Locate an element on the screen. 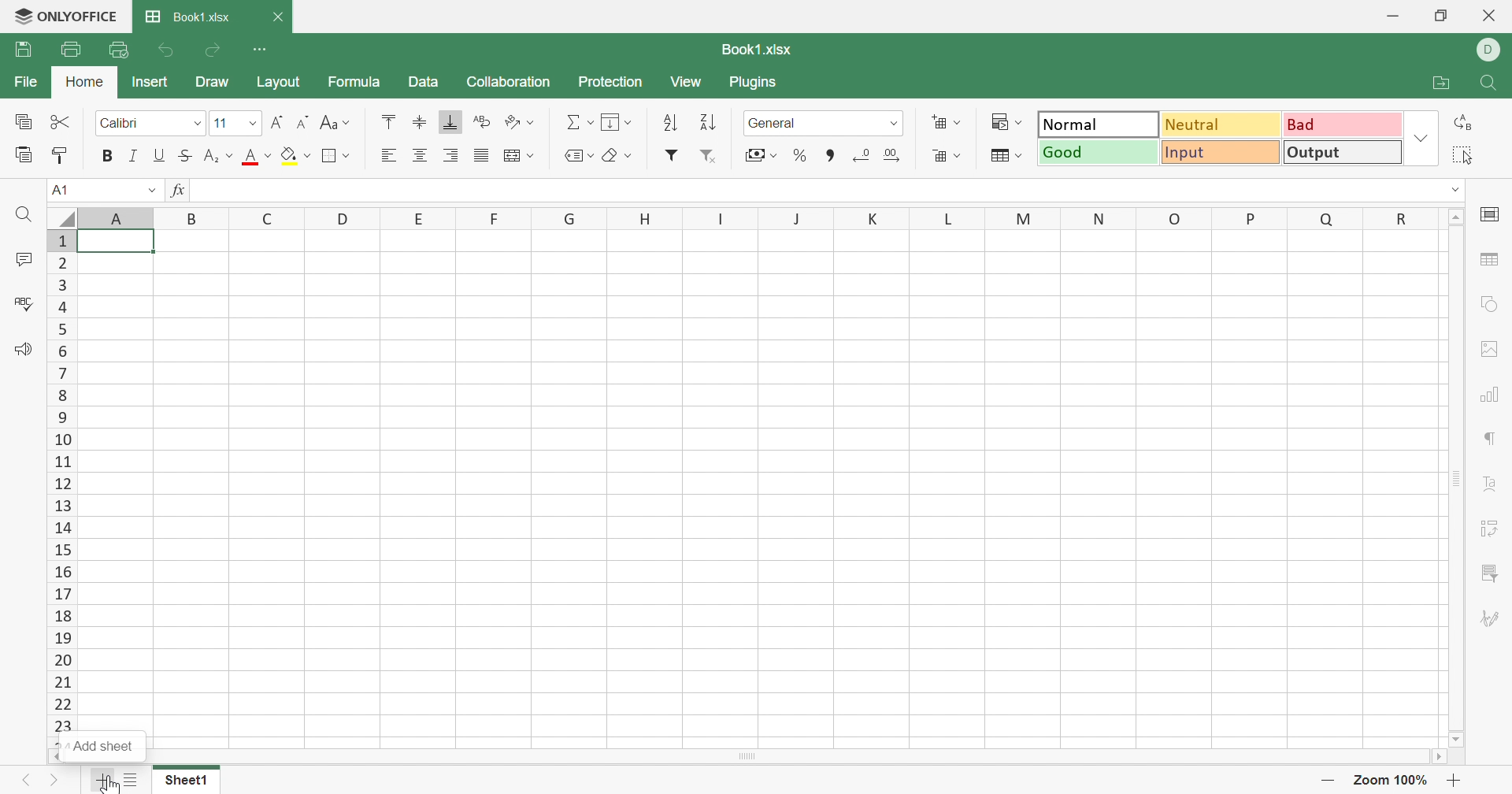 Image resolution: width=1512 pixels, height=794 pixels. Drop Down is located at coordinates (253, 122).